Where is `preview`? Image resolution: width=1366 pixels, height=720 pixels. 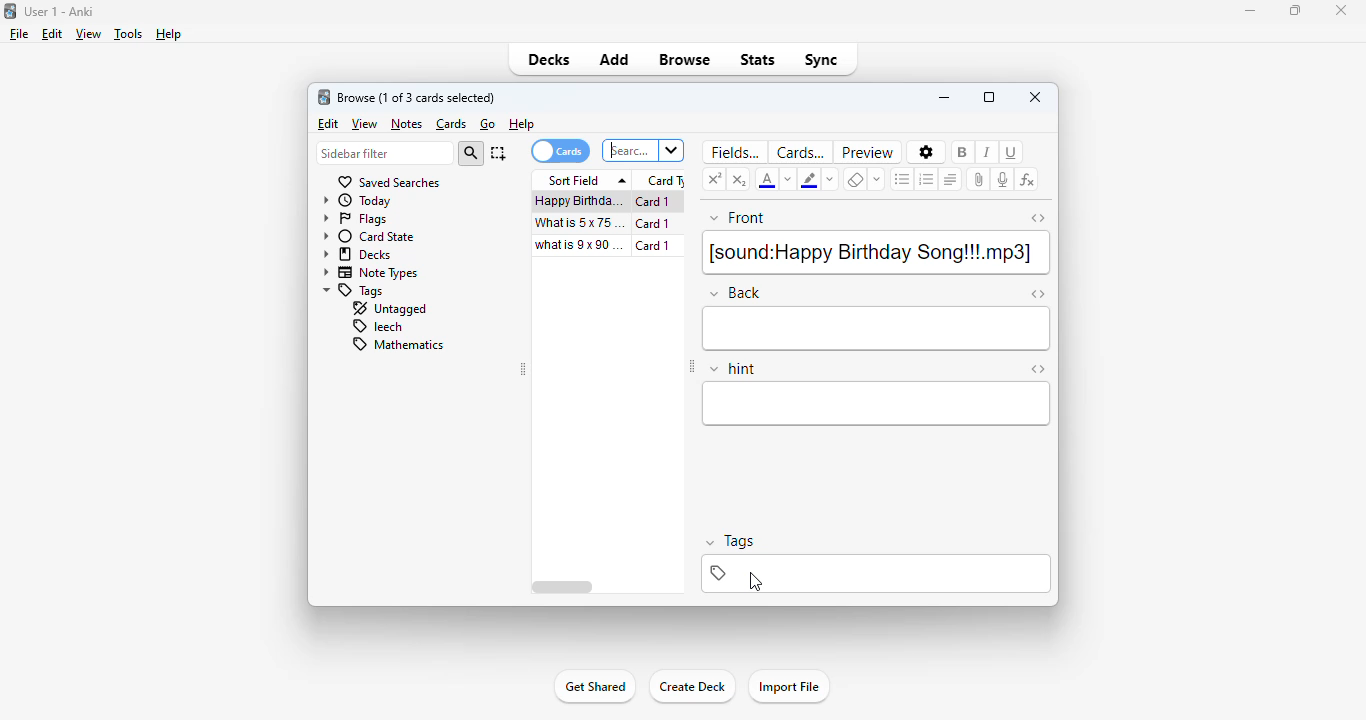
preview is located at coordinates (868, 152).